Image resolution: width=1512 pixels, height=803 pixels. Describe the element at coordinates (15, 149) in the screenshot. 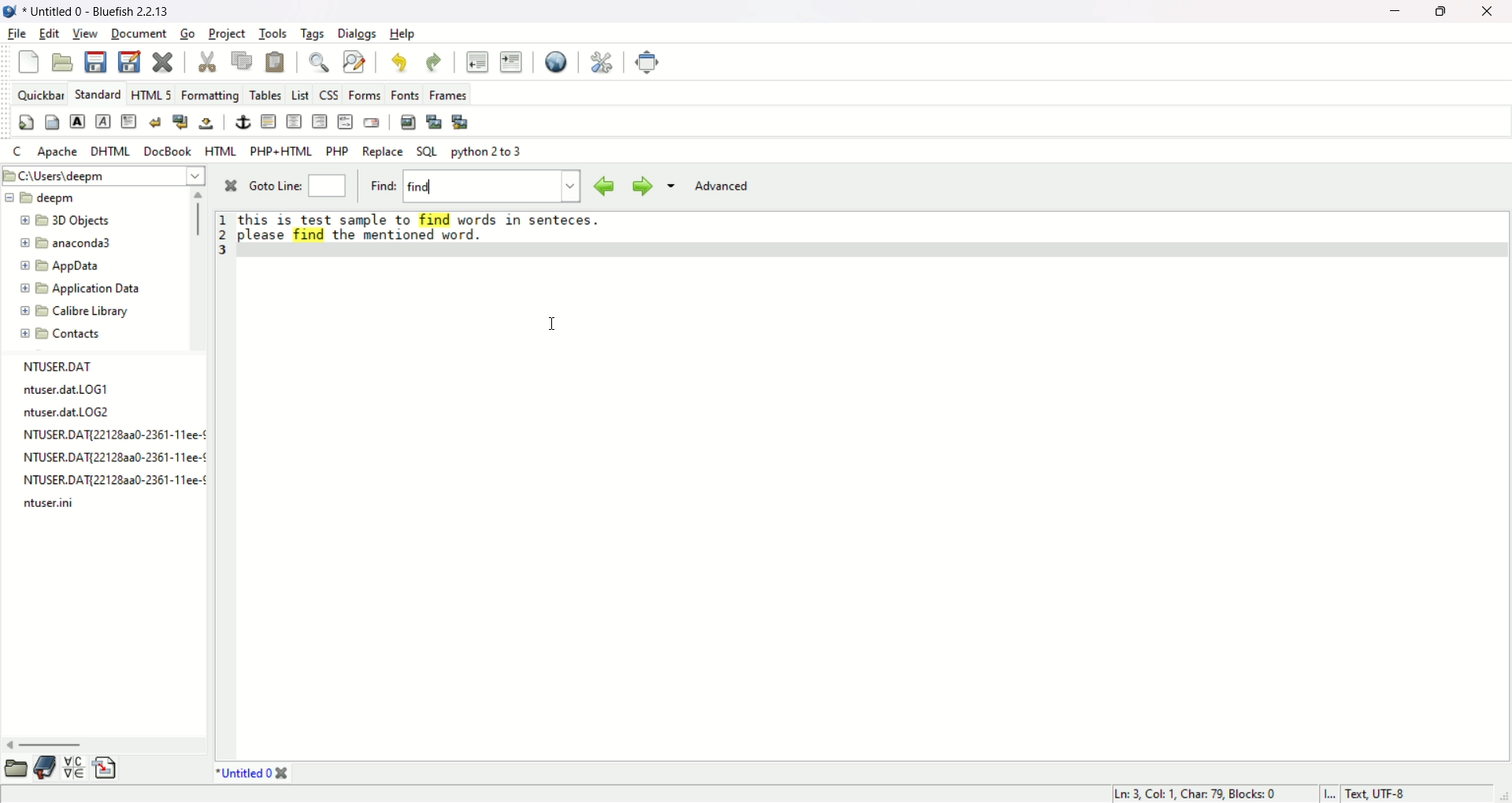

I see `C` at that location.